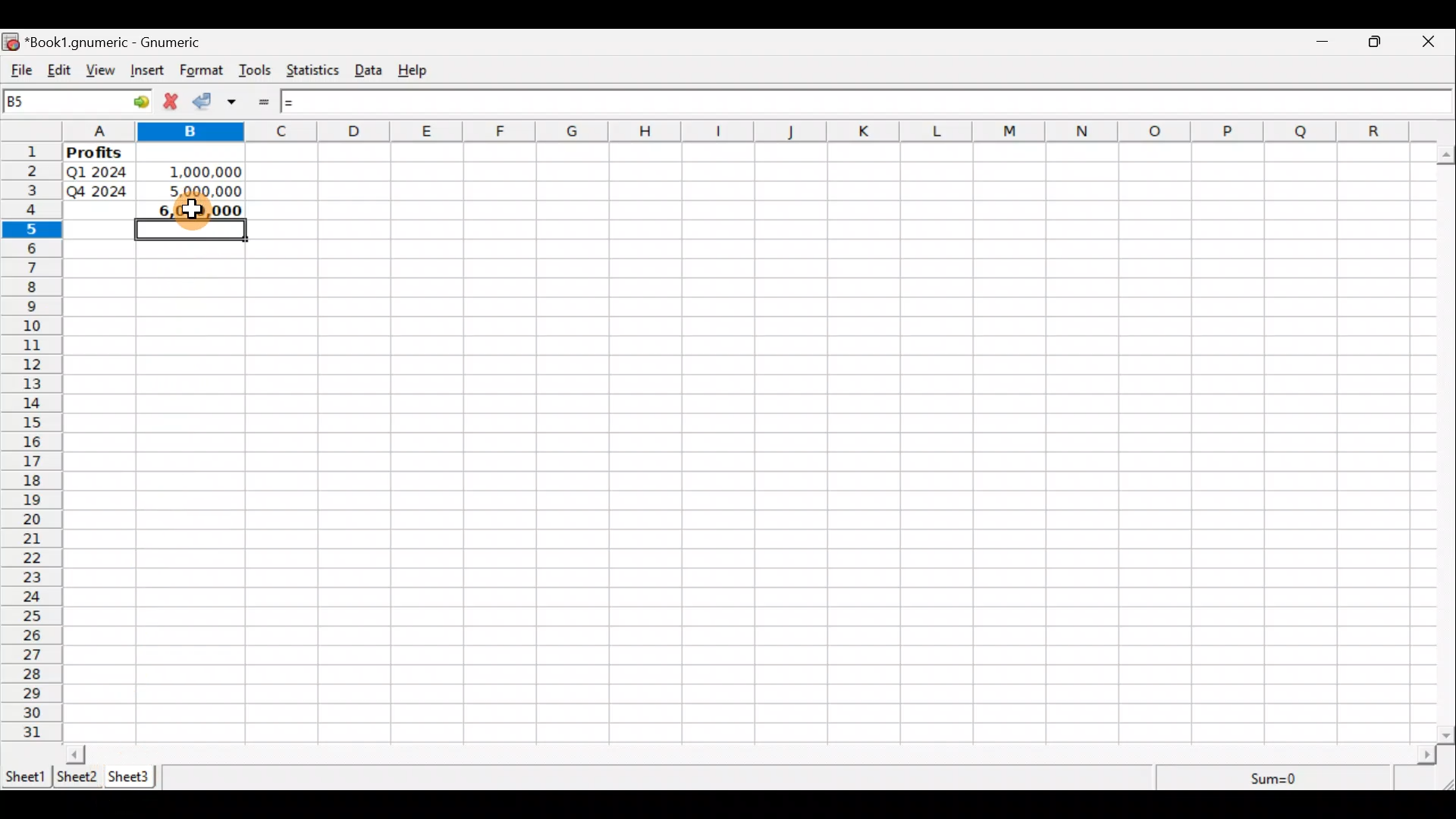 The image size is (1456, 819). What do you see at coordinates (149, 72) in the screenshot?
I see `Insert` at bounding box center [149, 72].